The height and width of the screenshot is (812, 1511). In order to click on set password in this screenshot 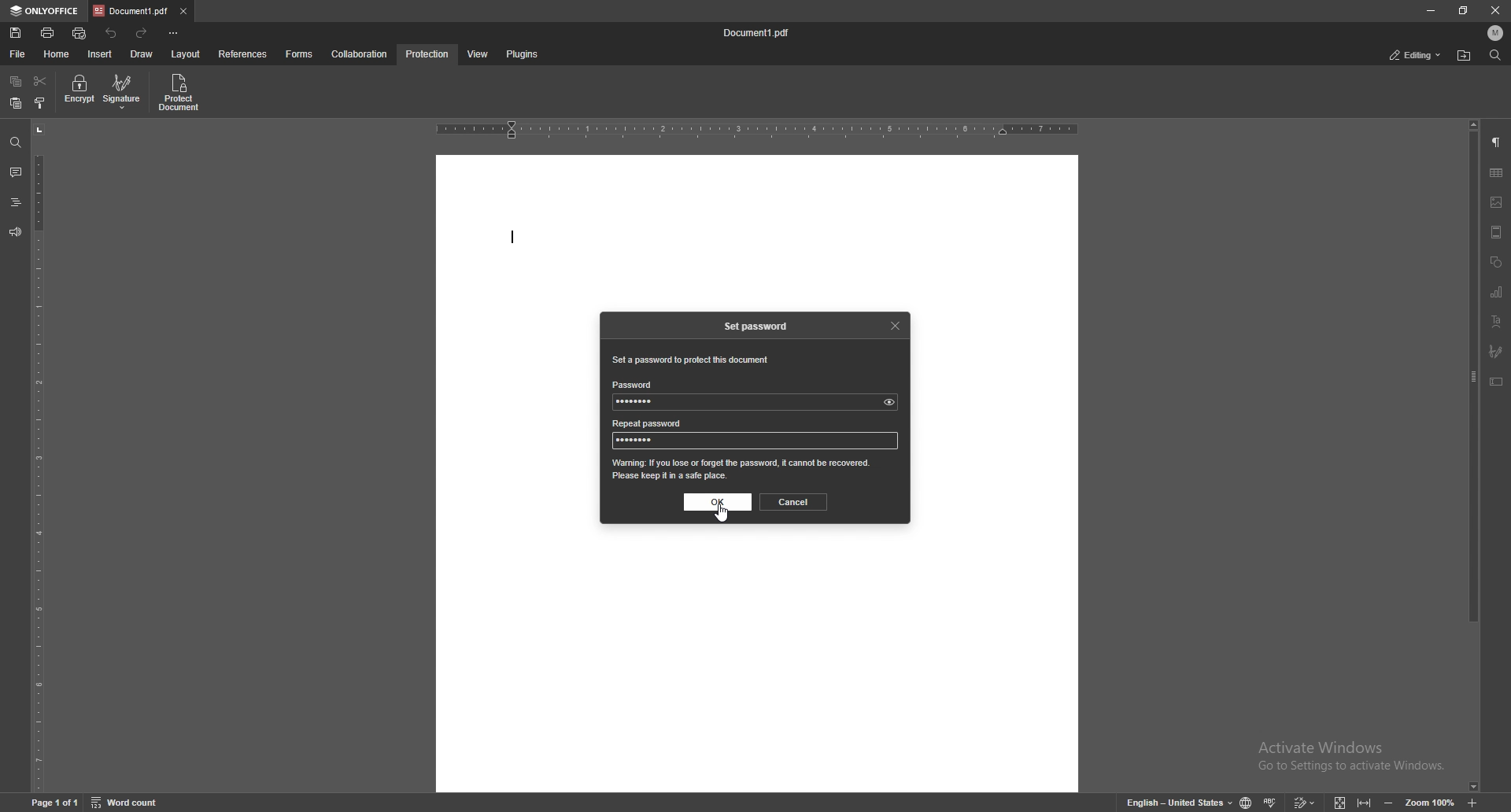, I will do `click(756, 325)`.